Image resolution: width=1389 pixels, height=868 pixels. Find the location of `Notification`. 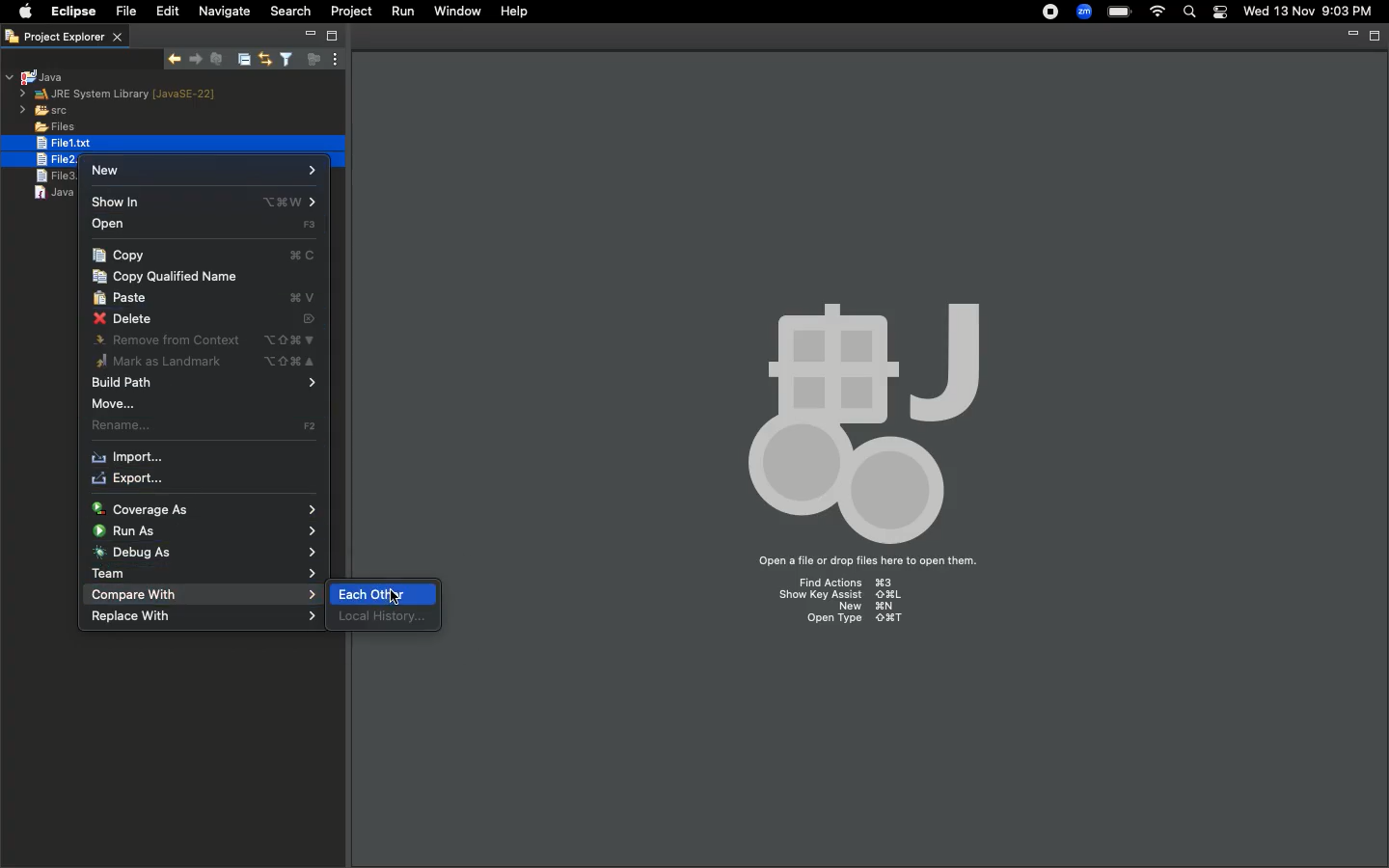

Notification is located at coordinates (1222, 12).